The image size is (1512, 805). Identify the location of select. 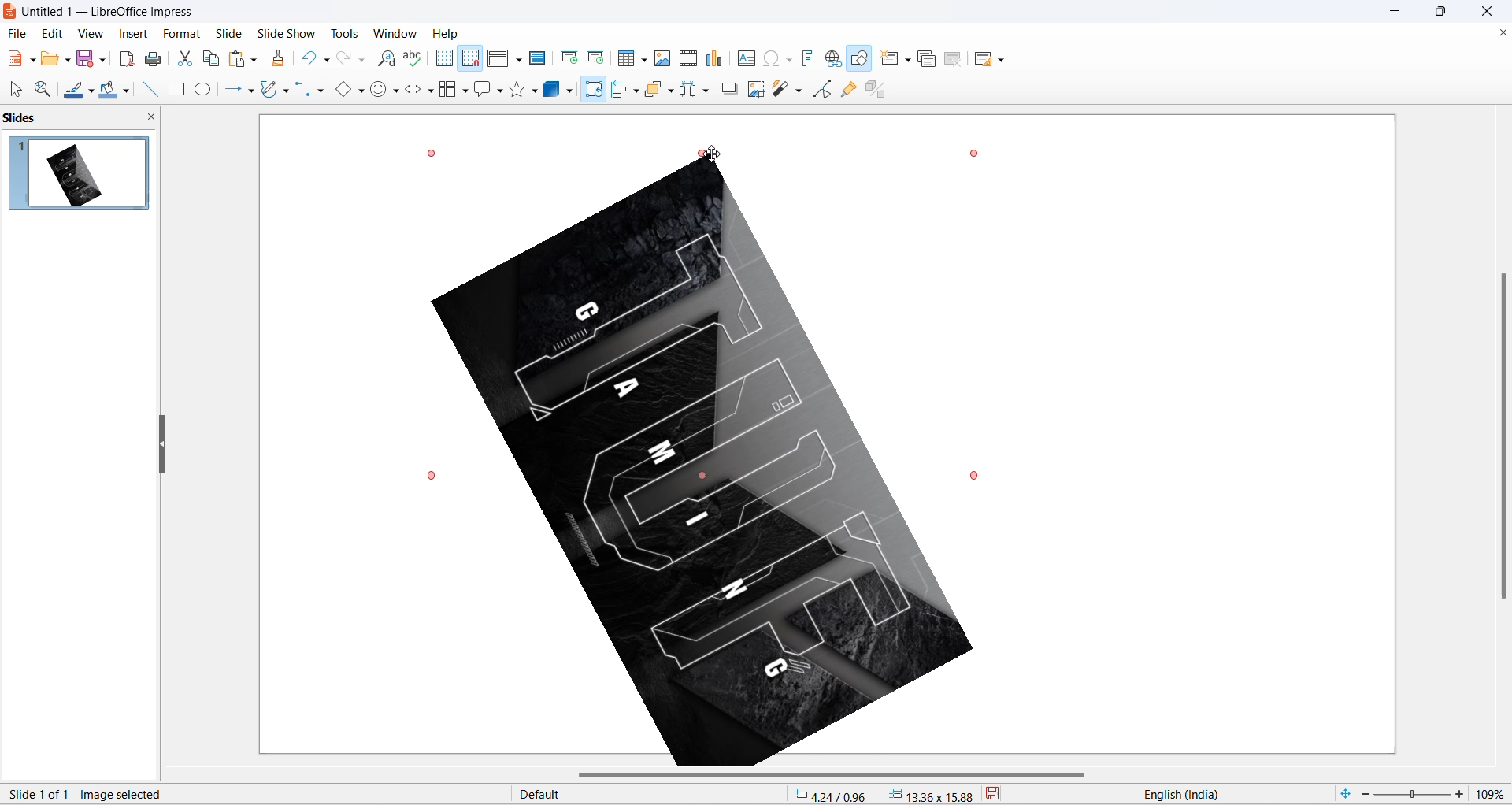
(13, 91).